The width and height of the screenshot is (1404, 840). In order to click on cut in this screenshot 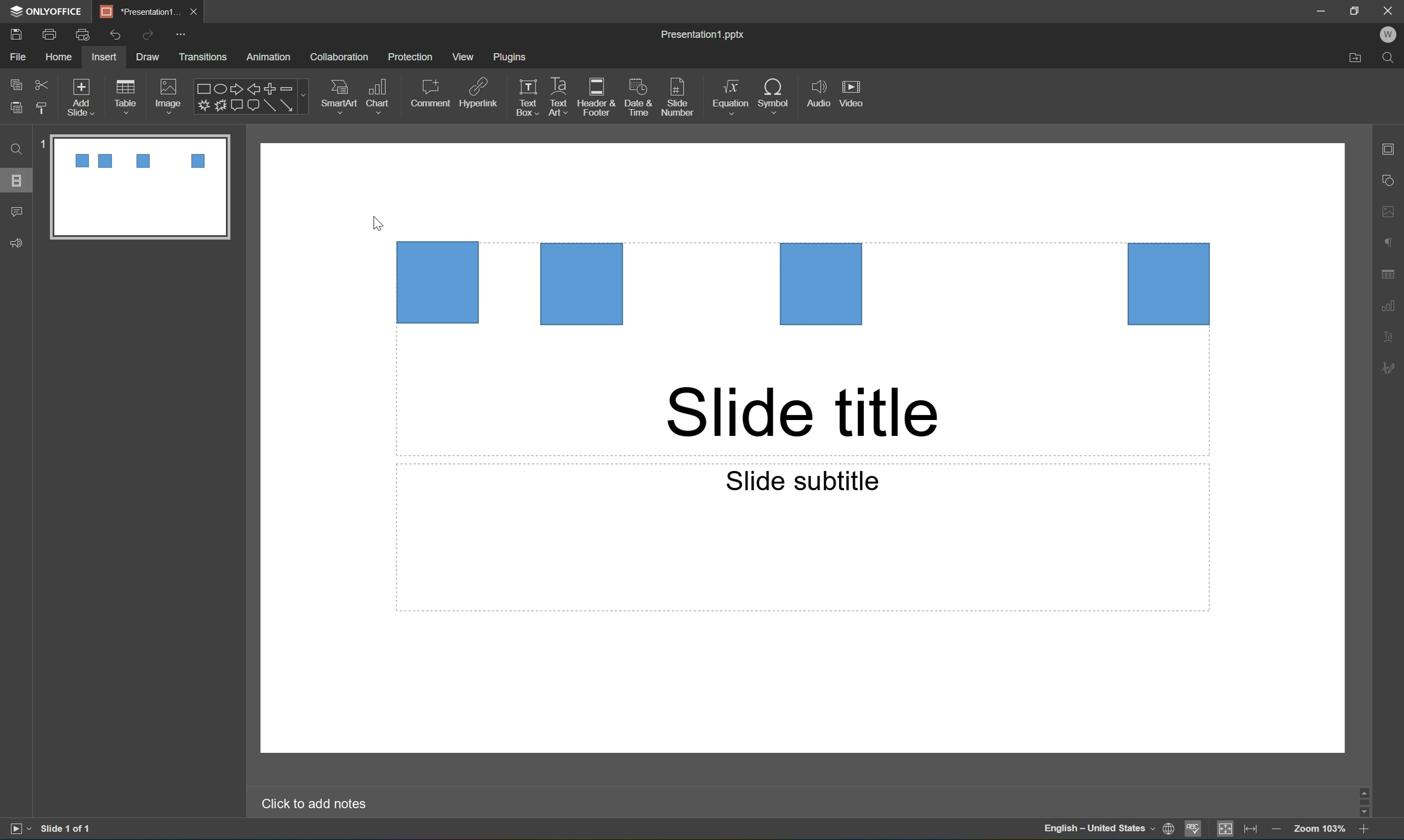, I will do `click(41, 83)`.